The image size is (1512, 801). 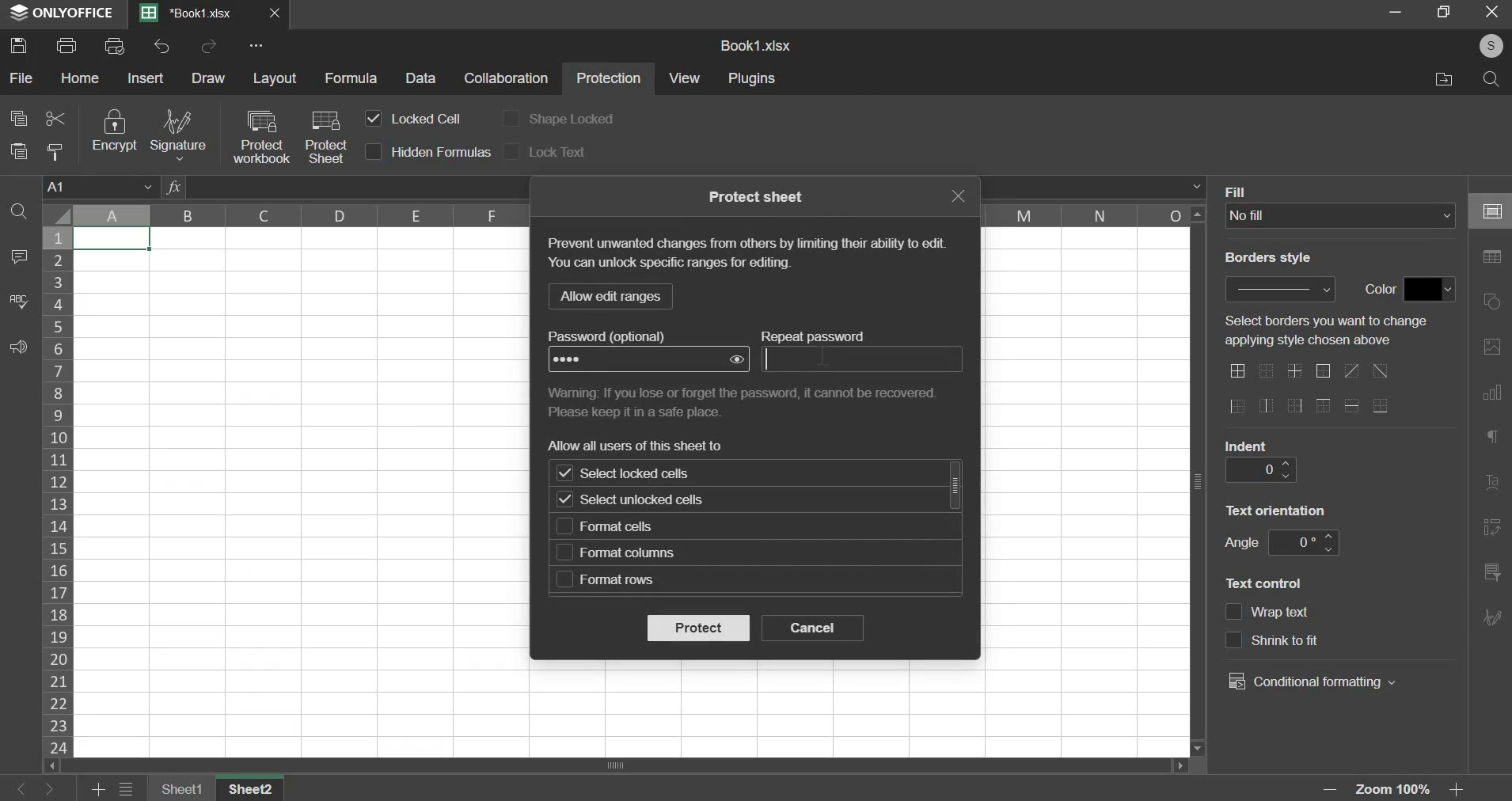 What do you see at coordinates (374, 119) in the screenshot?
I see `checkbox` at bounding box center [374, 119].